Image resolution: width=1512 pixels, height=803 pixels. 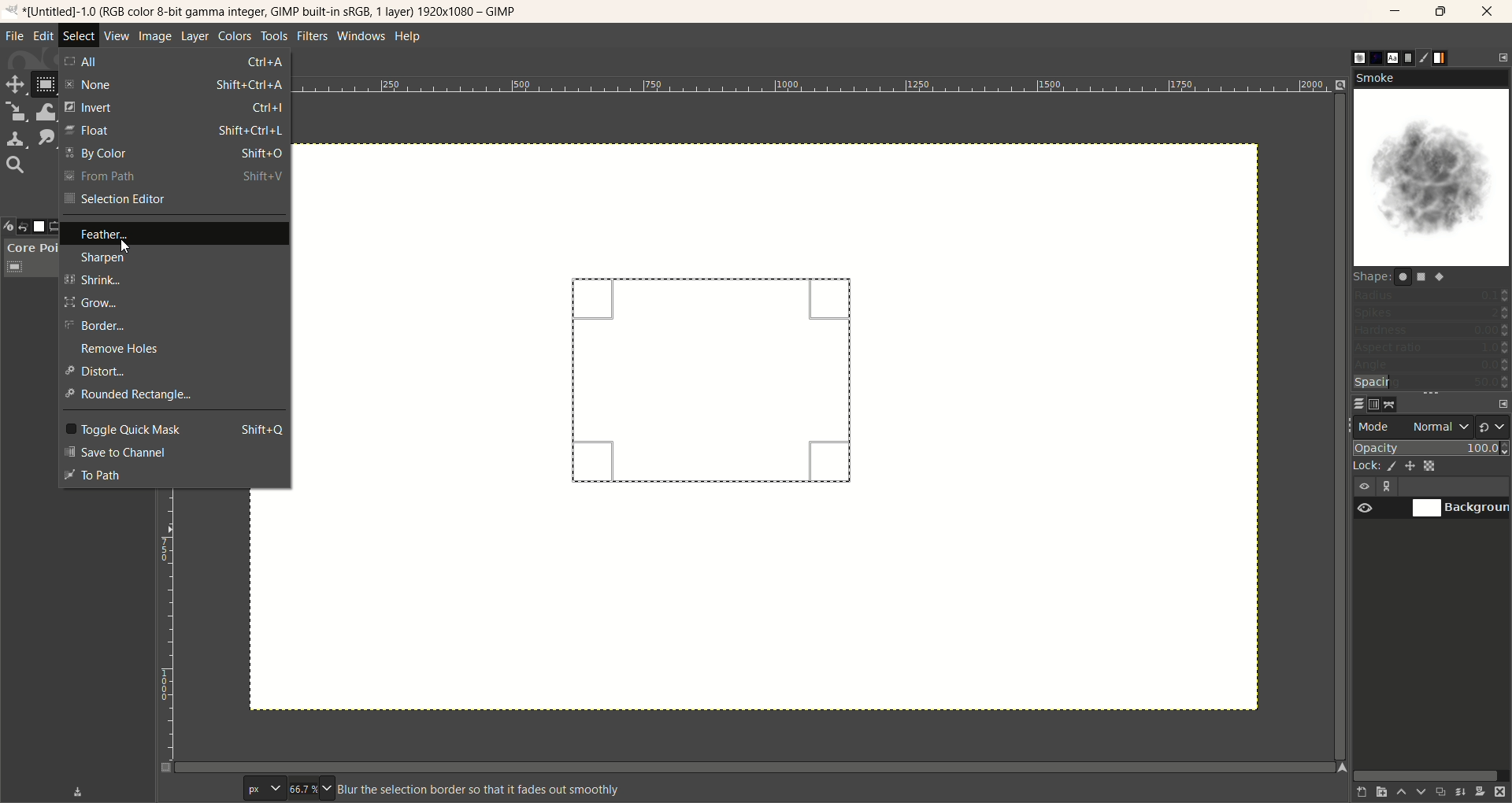 What do you see at coordinates (1479, 794) in the screenshot?
I see `add a mask` at bounding box center [1479, 794].